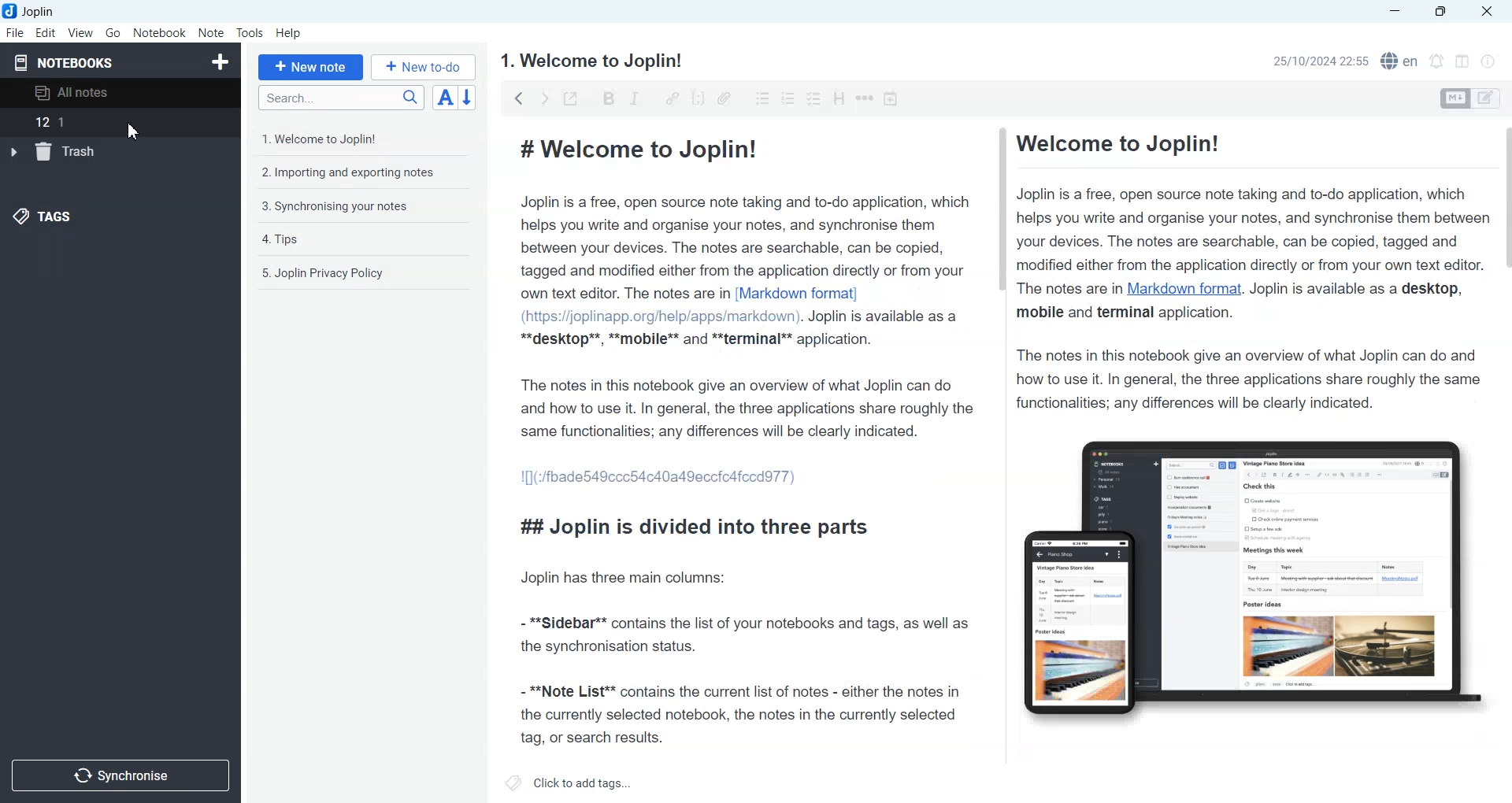 The image size is (1512, 803). I want to click on Horizontal rule, so click(862, 97).